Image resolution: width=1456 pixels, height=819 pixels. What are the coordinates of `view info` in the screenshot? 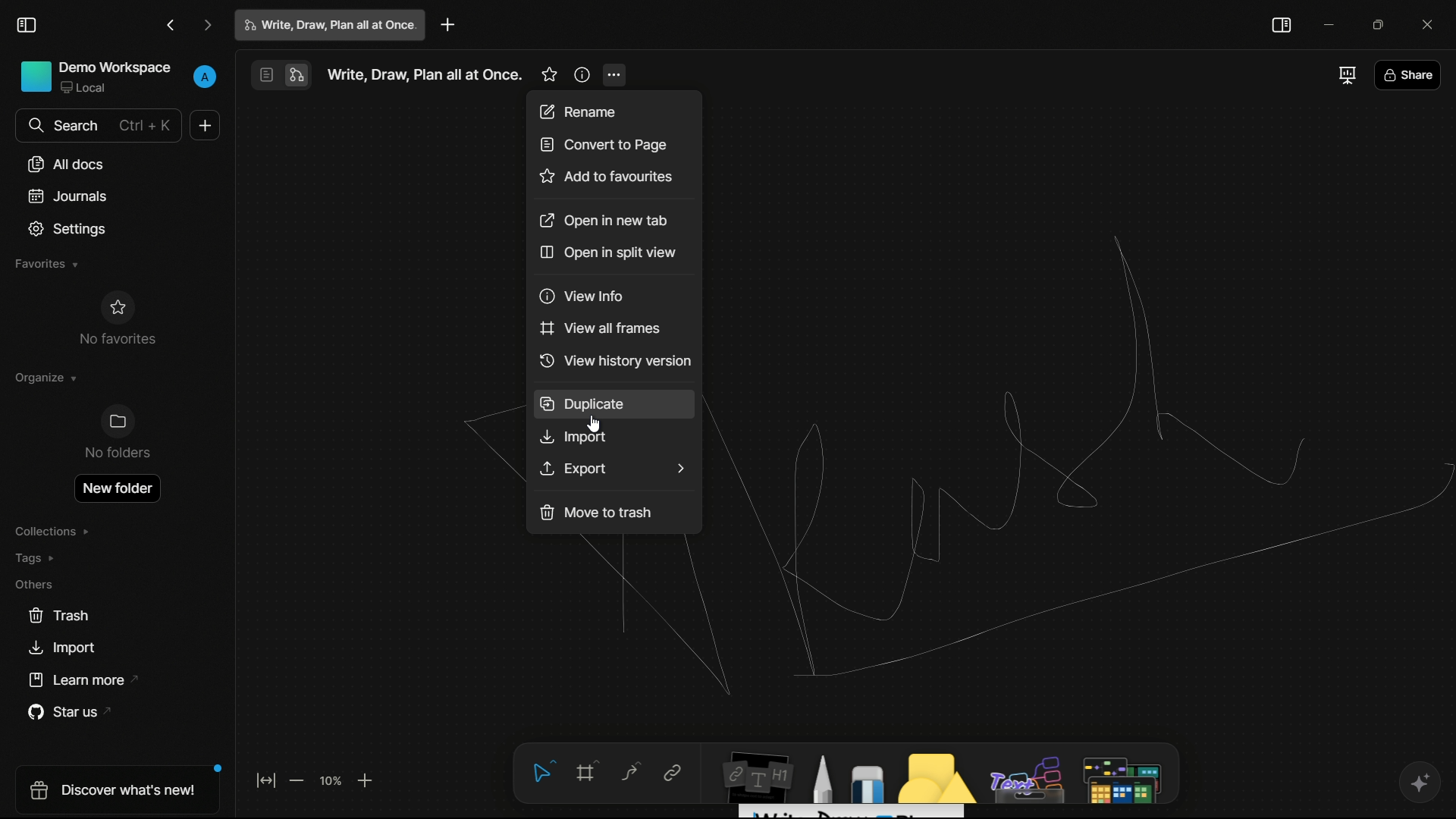 It's located at (580, 297).